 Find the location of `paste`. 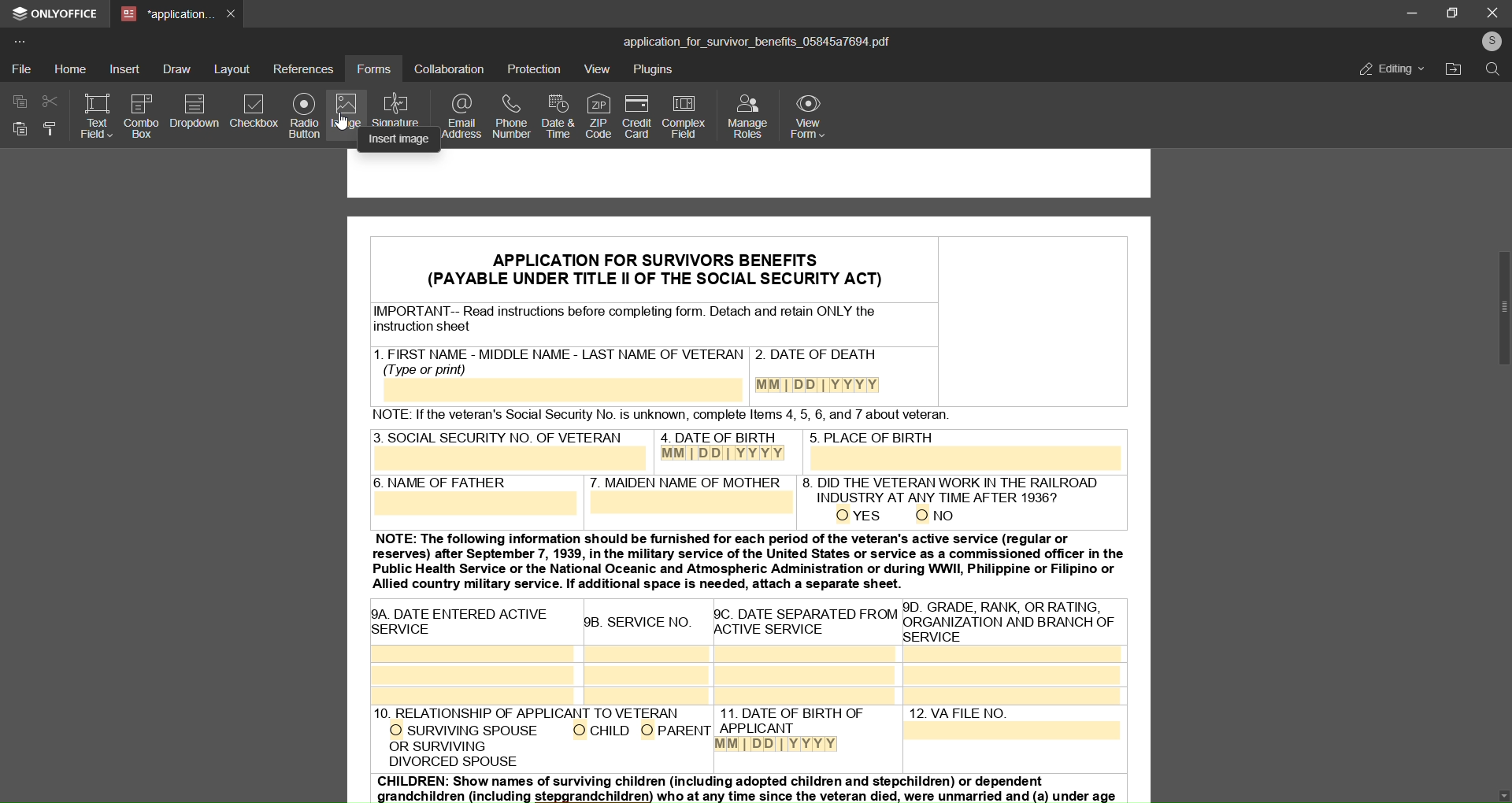

paste is located at coordinates (19, 130).